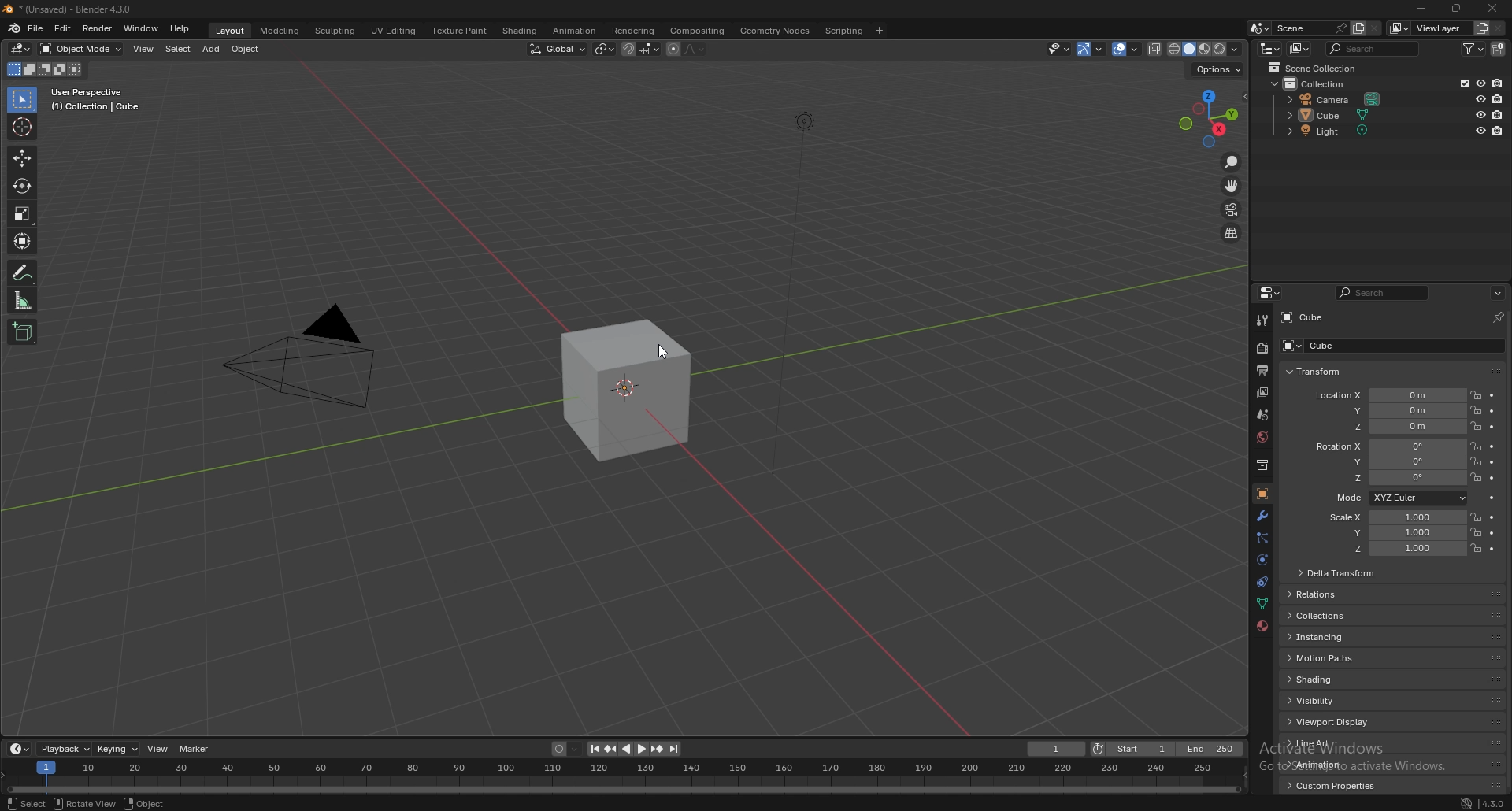 The image size is (1512, 811). I want to click on scroll bar, so click(1507, 559).